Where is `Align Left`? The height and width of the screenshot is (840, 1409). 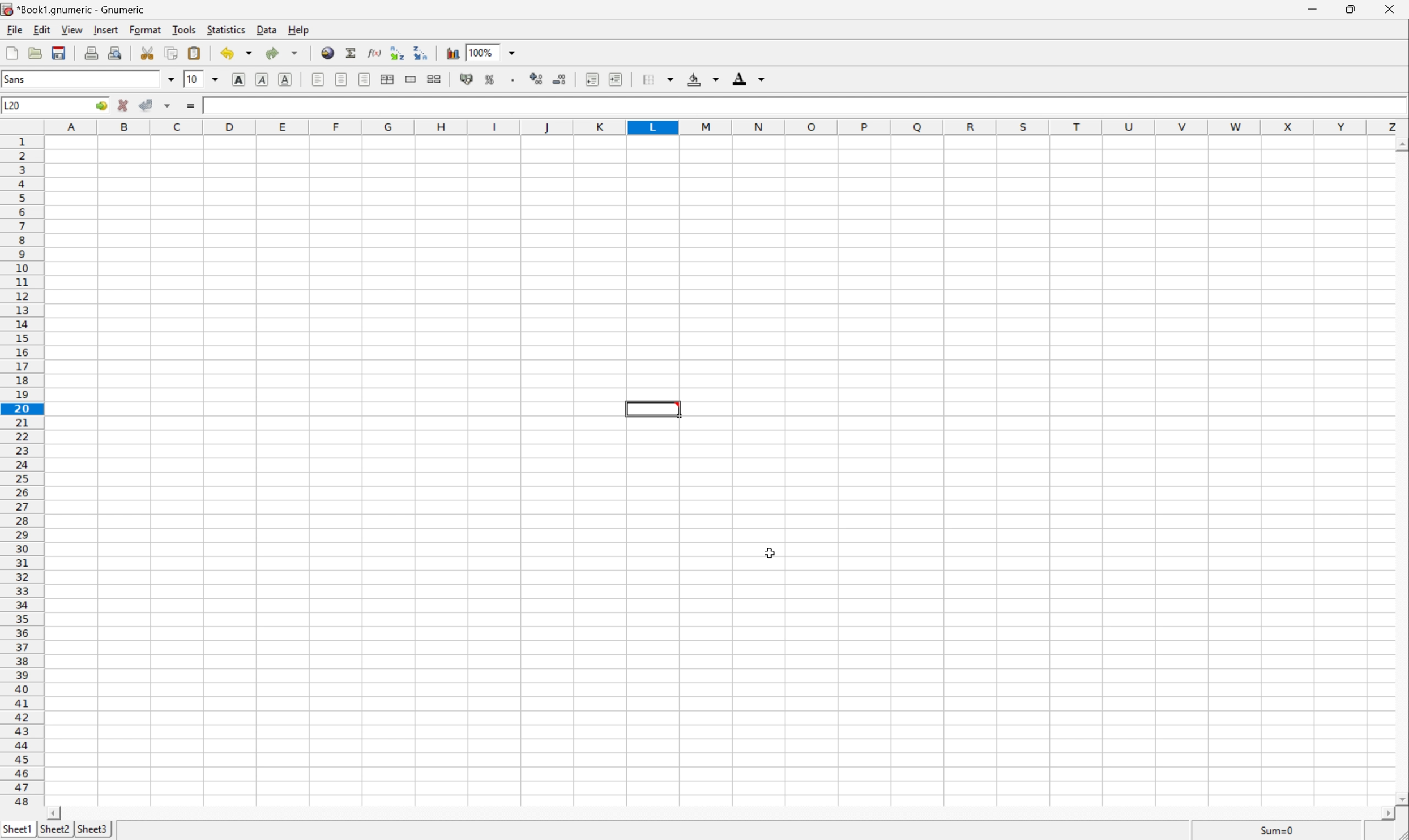 Align Left is located at coordinates (317, 80).